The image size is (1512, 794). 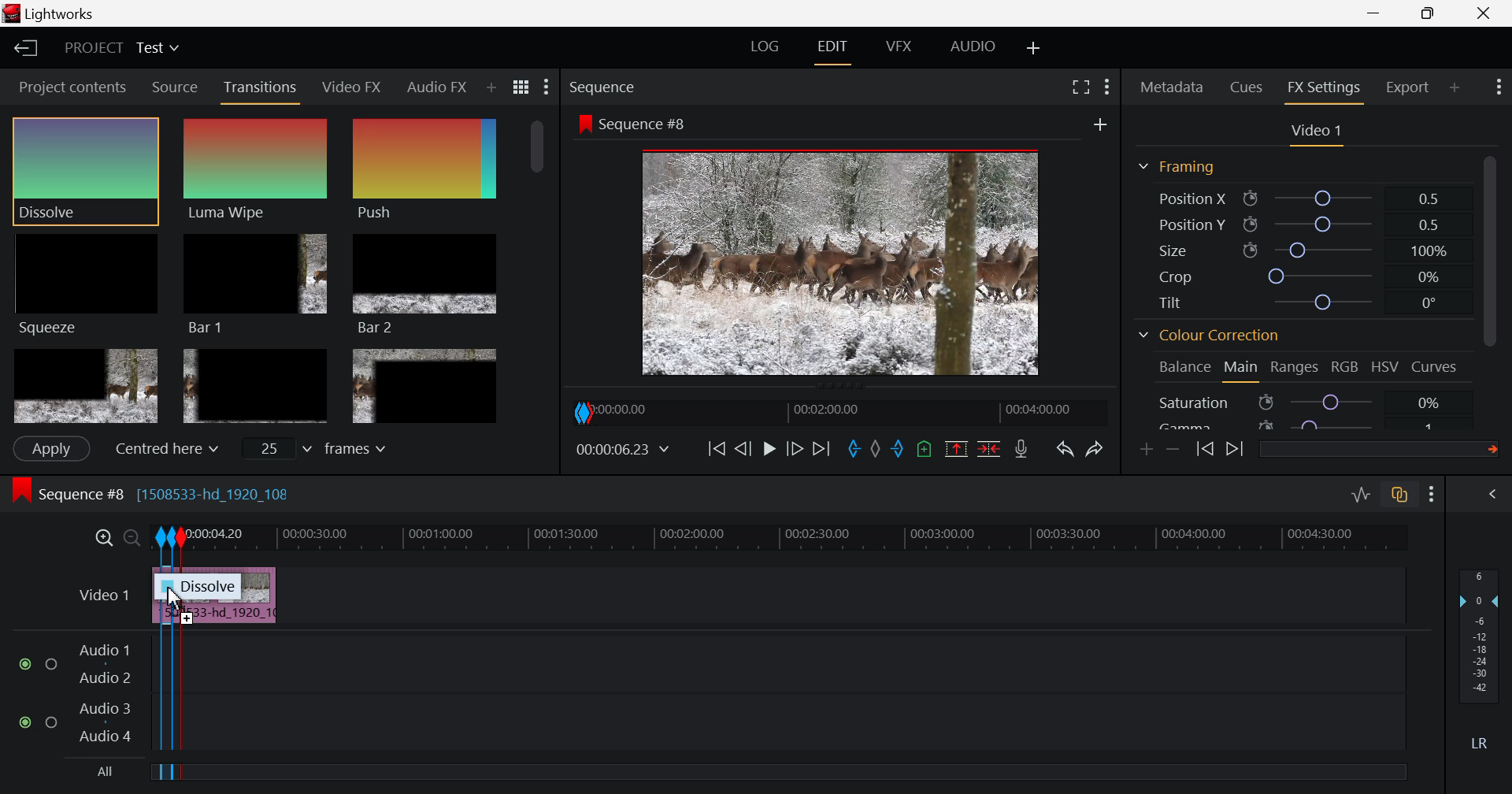 I want to click on Segment Out Mark, so click(x=185, y=655).